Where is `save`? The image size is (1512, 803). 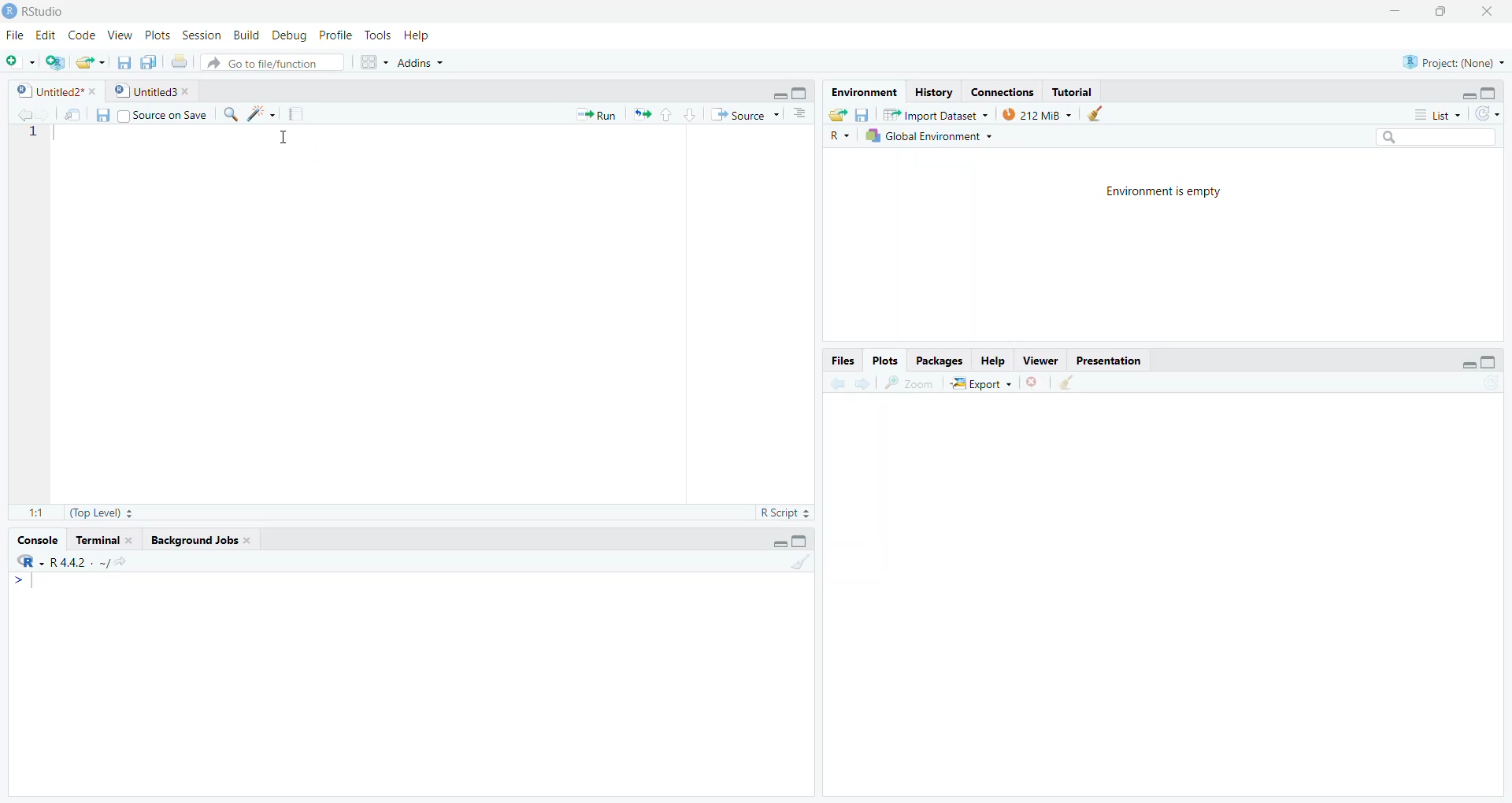
save is located at coordinates (100, 114).